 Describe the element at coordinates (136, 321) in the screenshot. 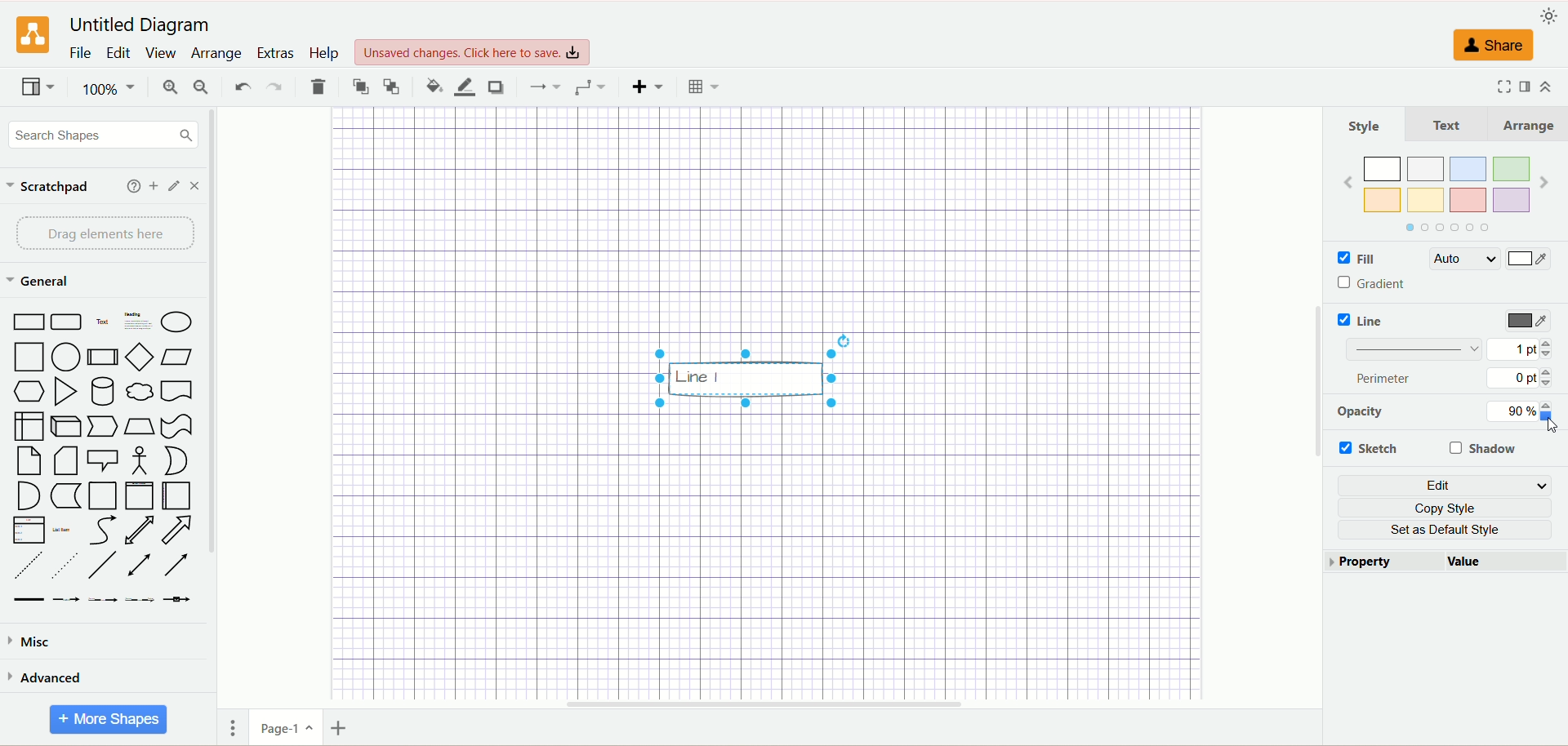

I see `Textbox` at that location.